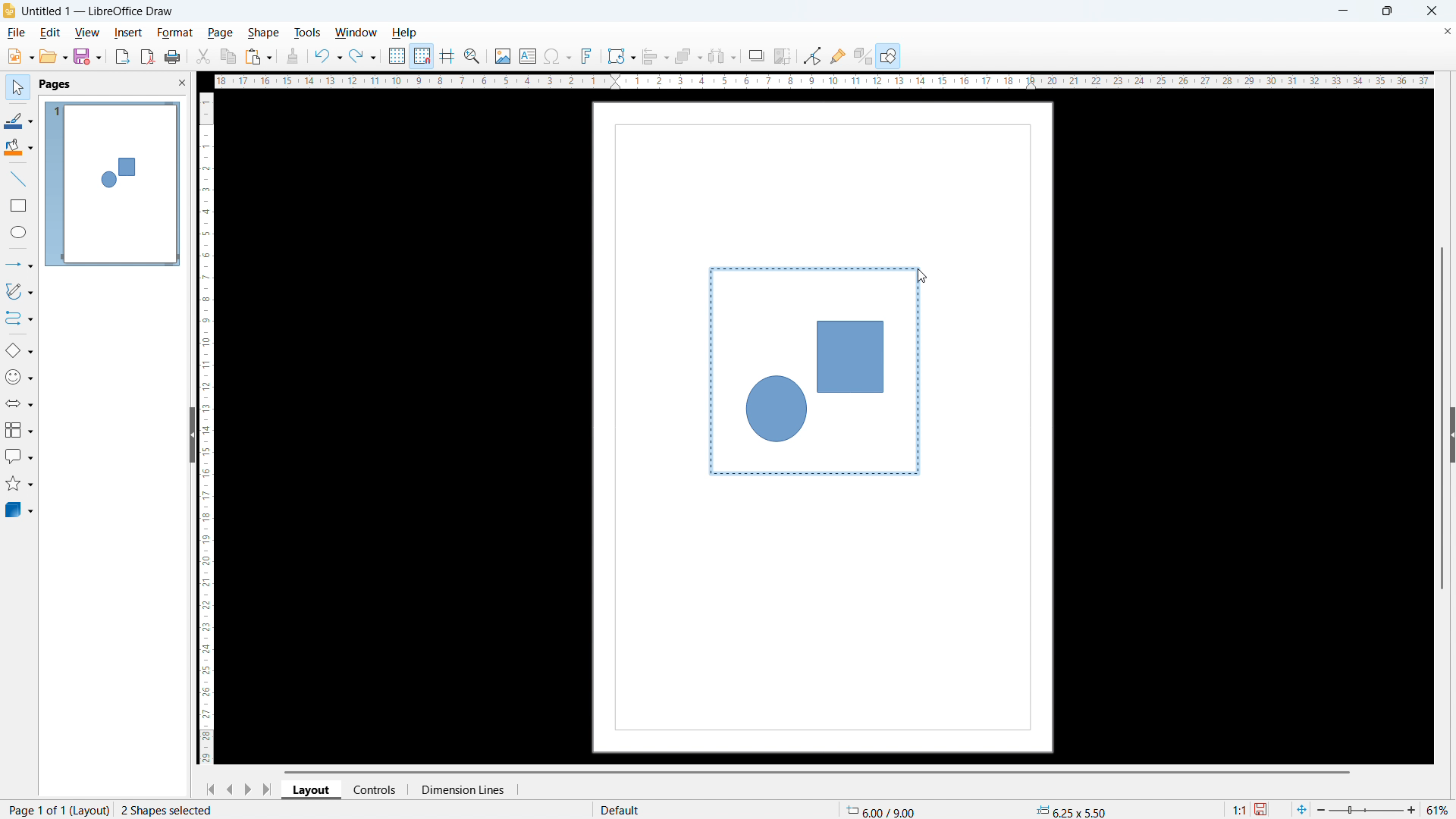  I want to click on page 1 of 1 (layout), so click(56, 809).